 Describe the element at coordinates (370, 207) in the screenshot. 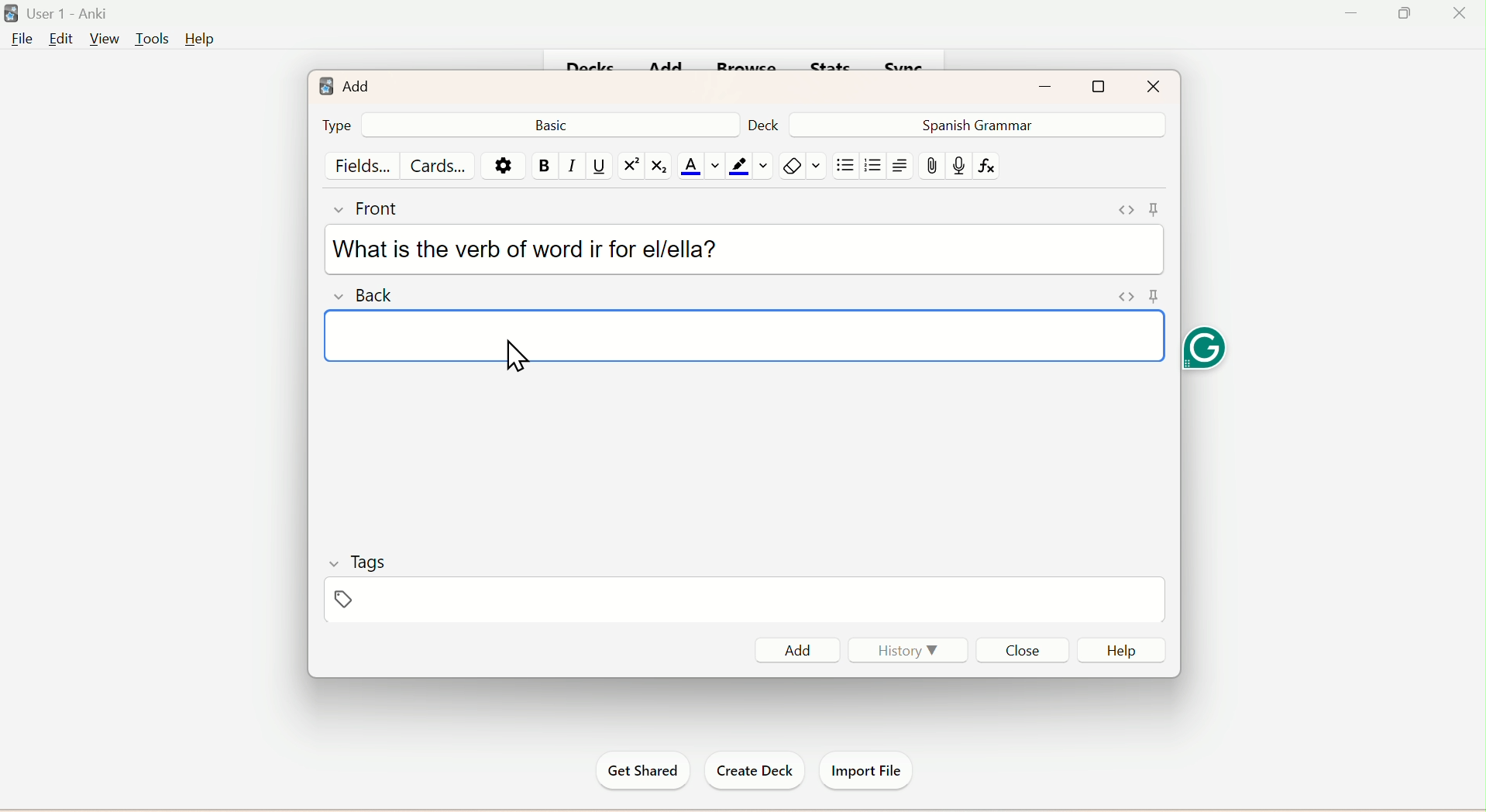

I see `Front` at that location.